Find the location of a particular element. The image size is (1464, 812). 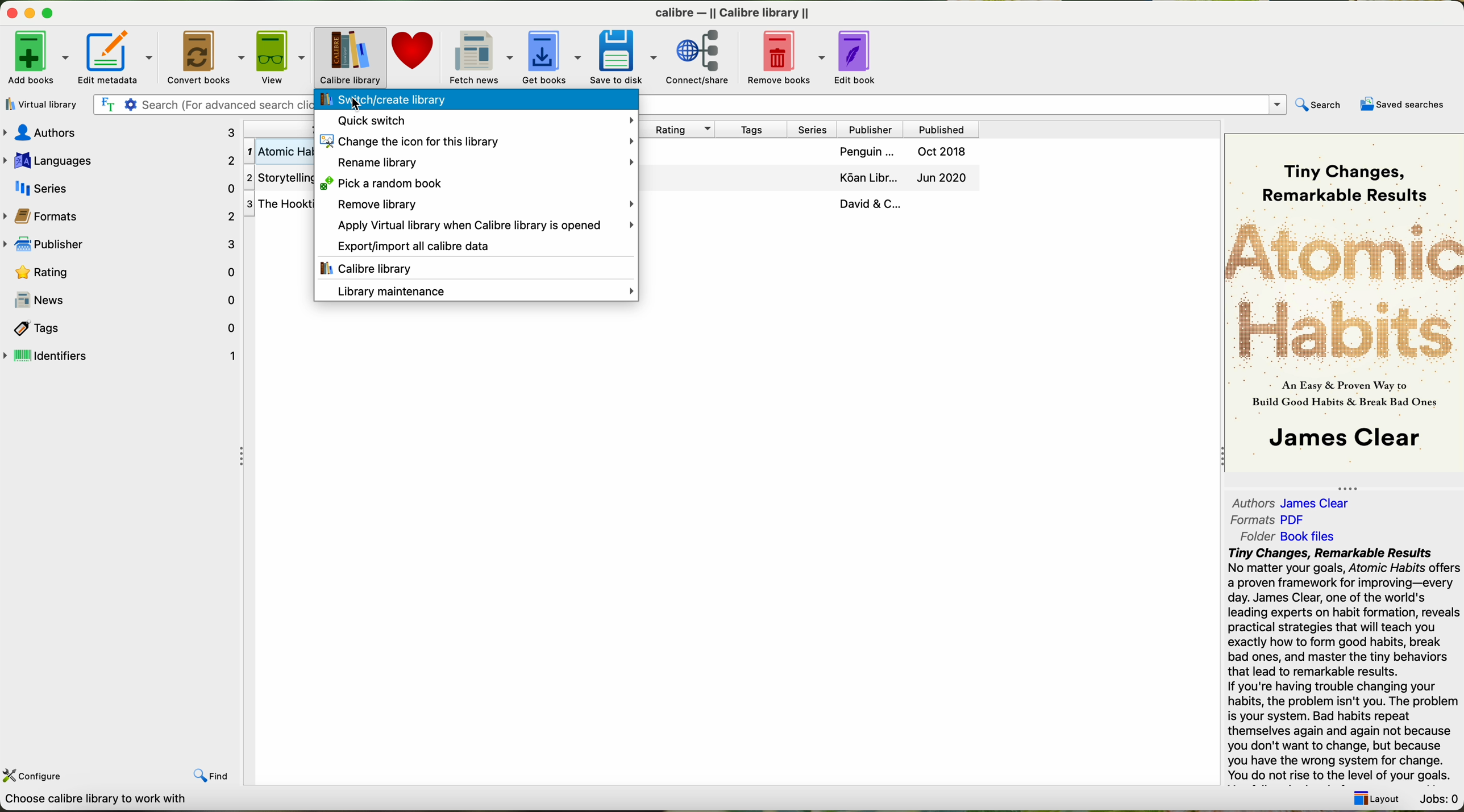

quick switch is located at coordinates (480, 121).